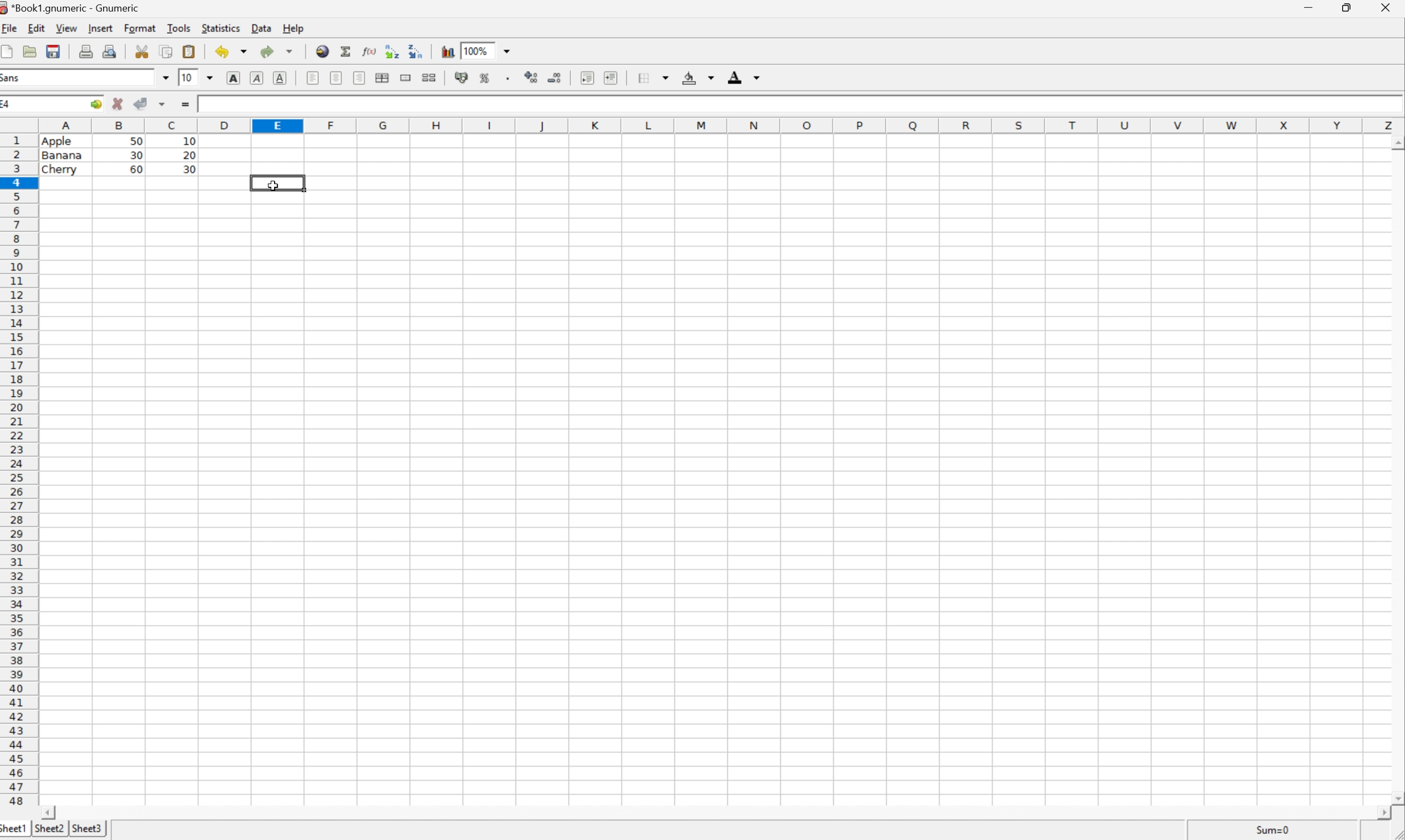 Image resolution: width=1405 pixels, height=840 pixels. I want to click on align right, so click(360, 78).